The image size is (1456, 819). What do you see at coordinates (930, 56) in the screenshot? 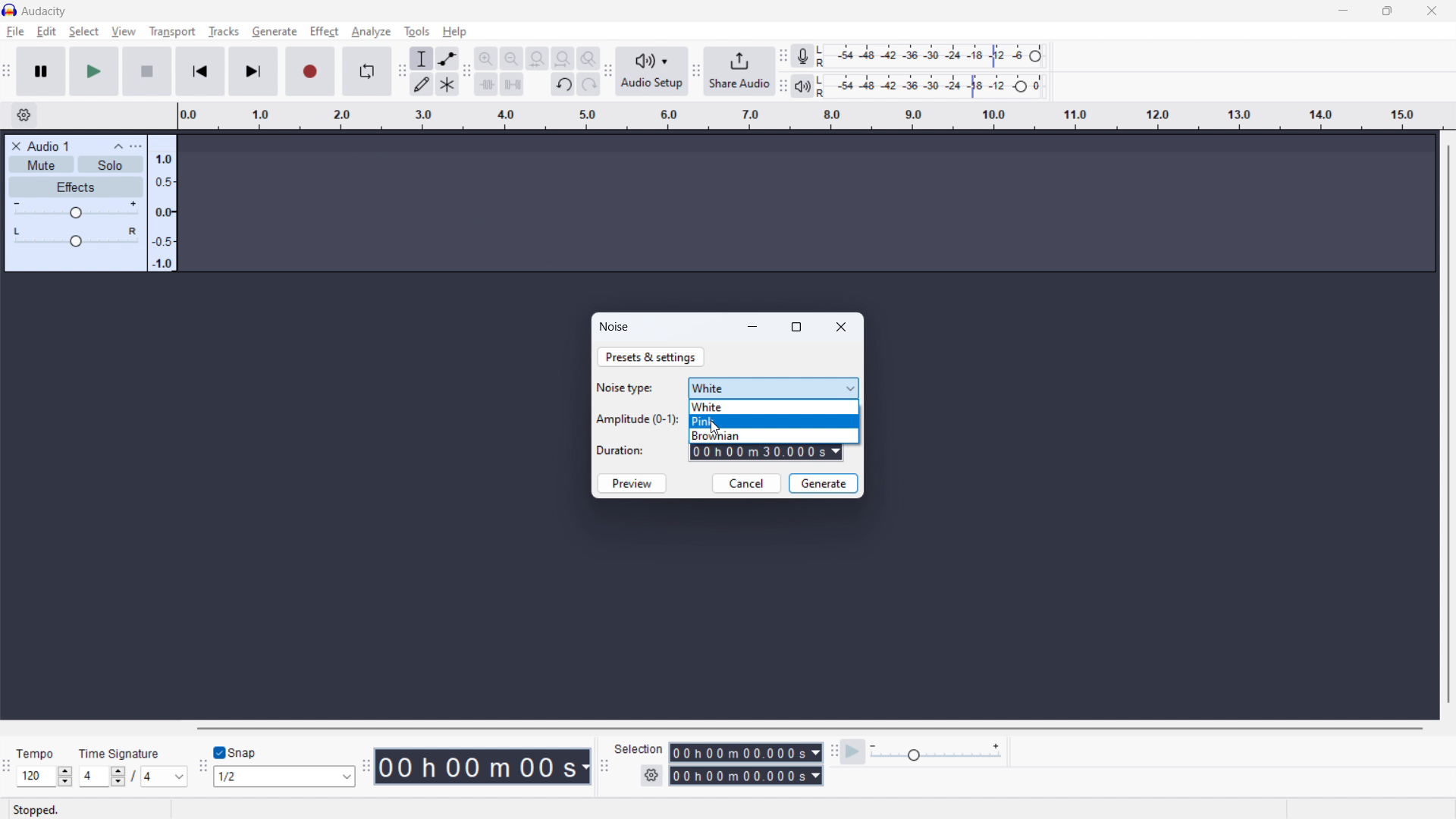
I see `recording meter` at bounding box center [930, 56].